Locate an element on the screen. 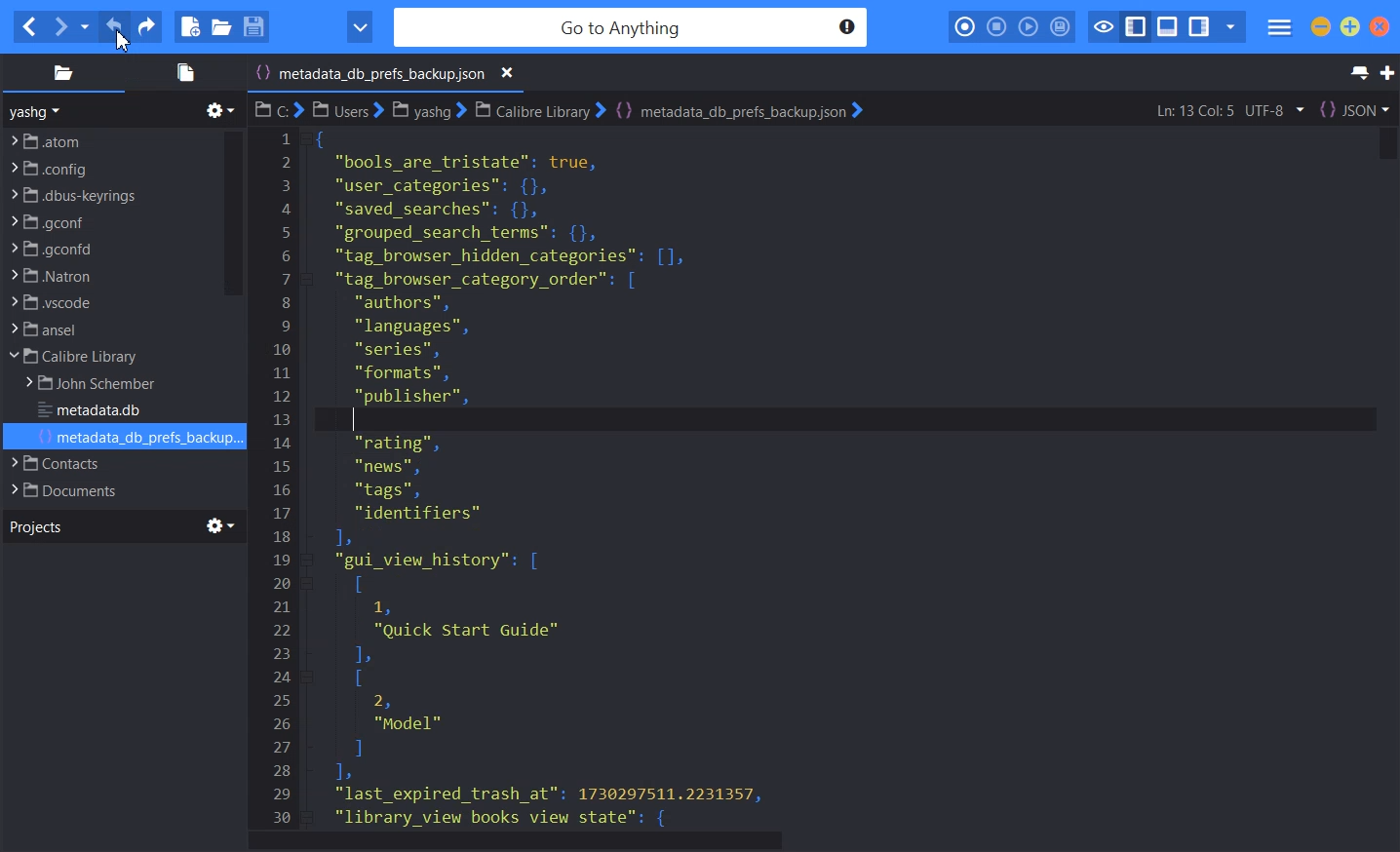 This screenshot has width=1400, height=852. metadata_db_pref_bakup .json is located at coordinates (389, 75).